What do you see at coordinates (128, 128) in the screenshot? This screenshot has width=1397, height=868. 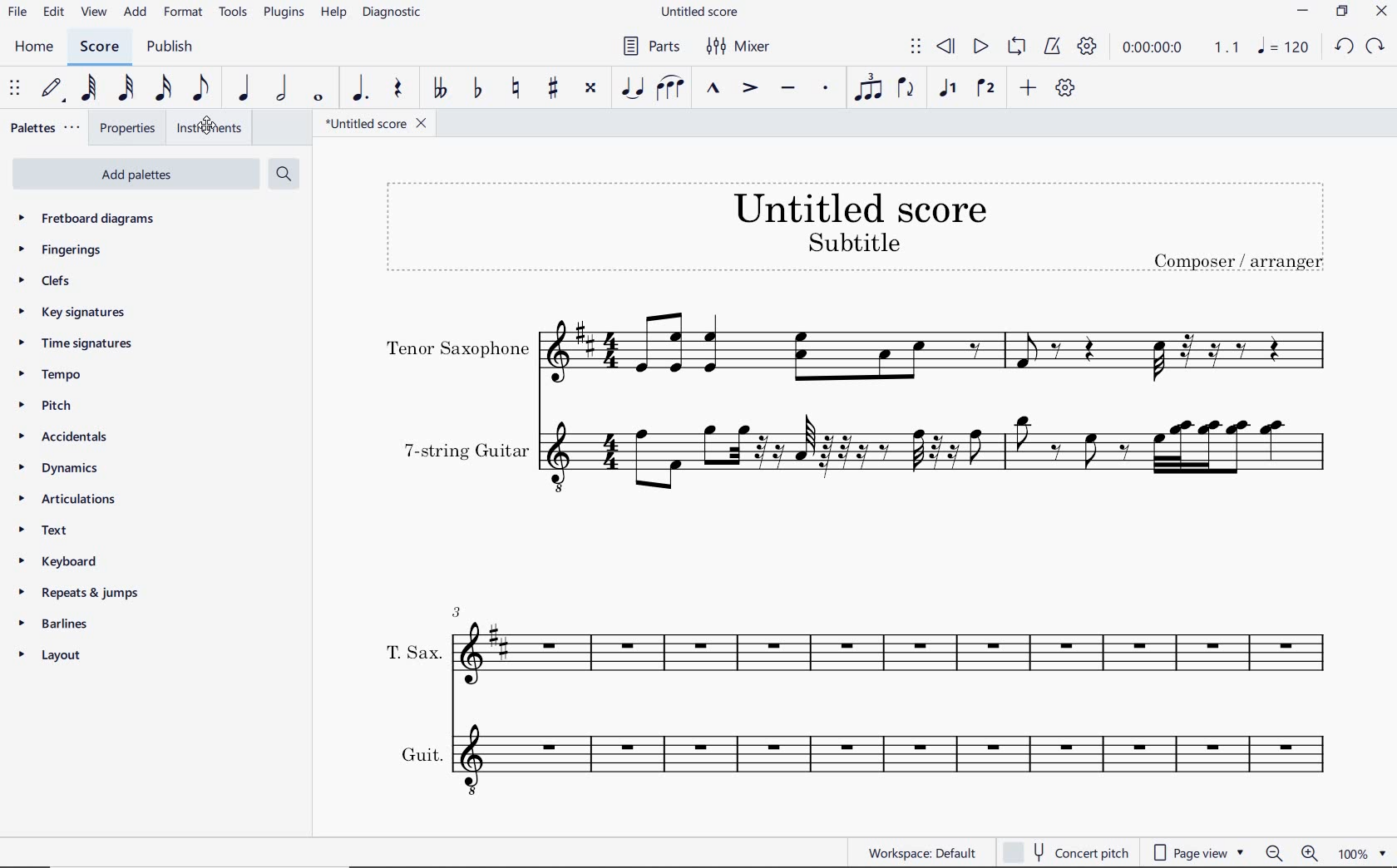 I see `PROPERTIES` at bounding box center [128, 128].